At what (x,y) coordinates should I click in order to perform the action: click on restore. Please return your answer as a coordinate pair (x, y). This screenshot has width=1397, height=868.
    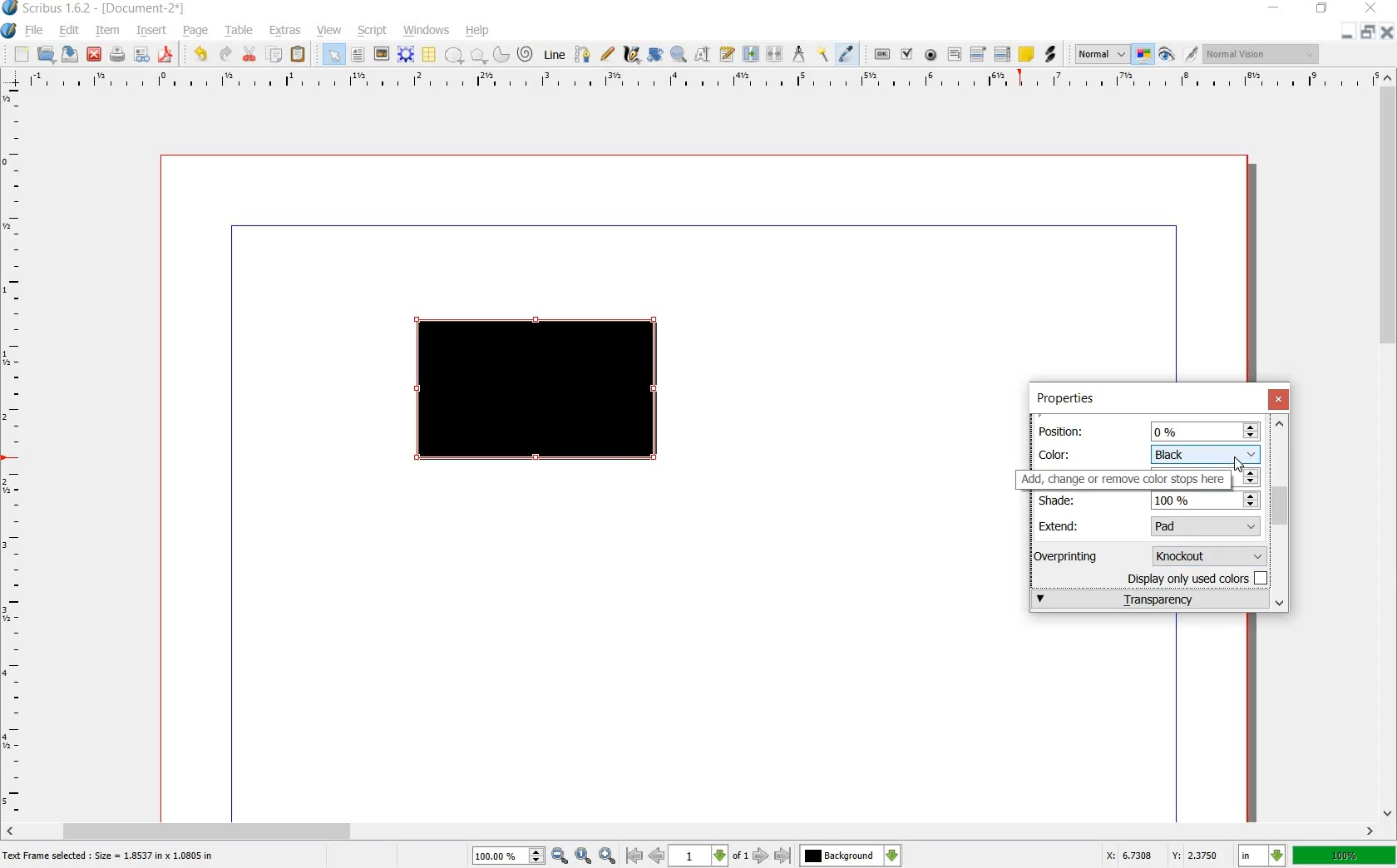
    Looking at the image, I should click on (1322, 11).